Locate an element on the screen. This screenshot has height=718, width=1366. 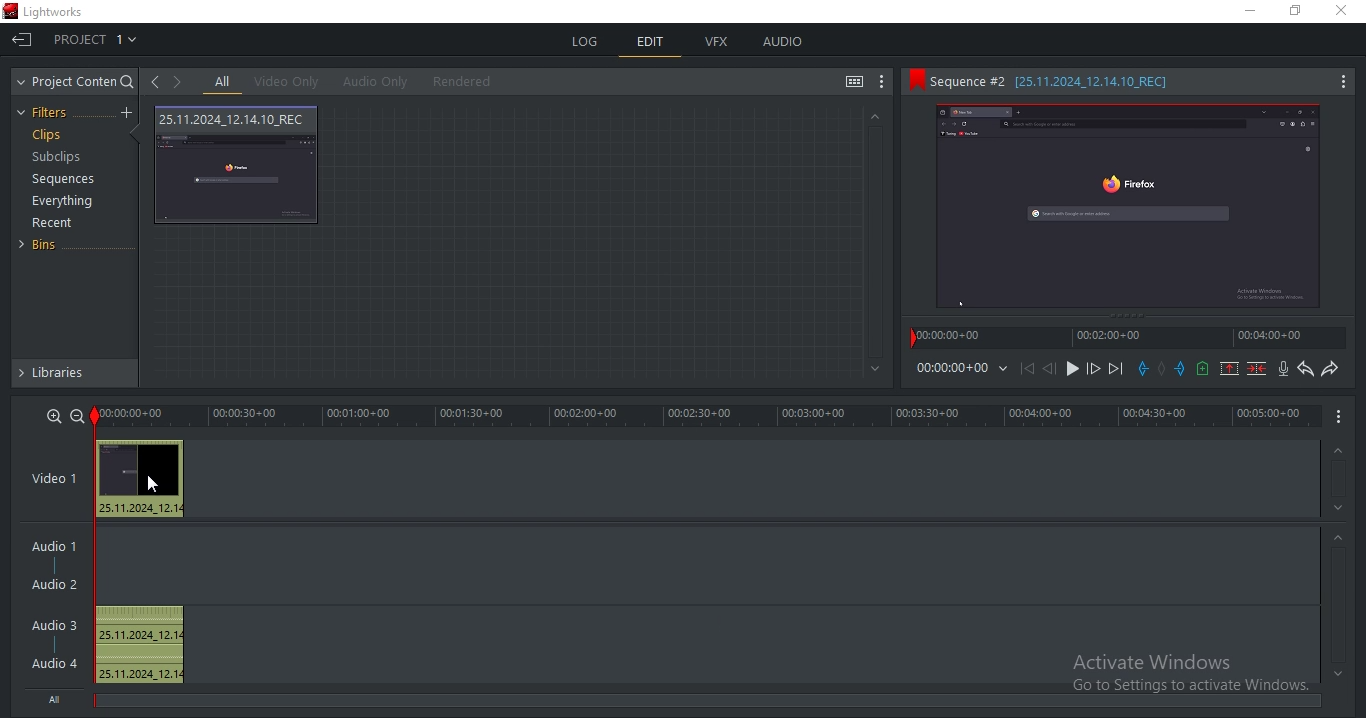
remove the marked section is located at coordinates (1230, 369).